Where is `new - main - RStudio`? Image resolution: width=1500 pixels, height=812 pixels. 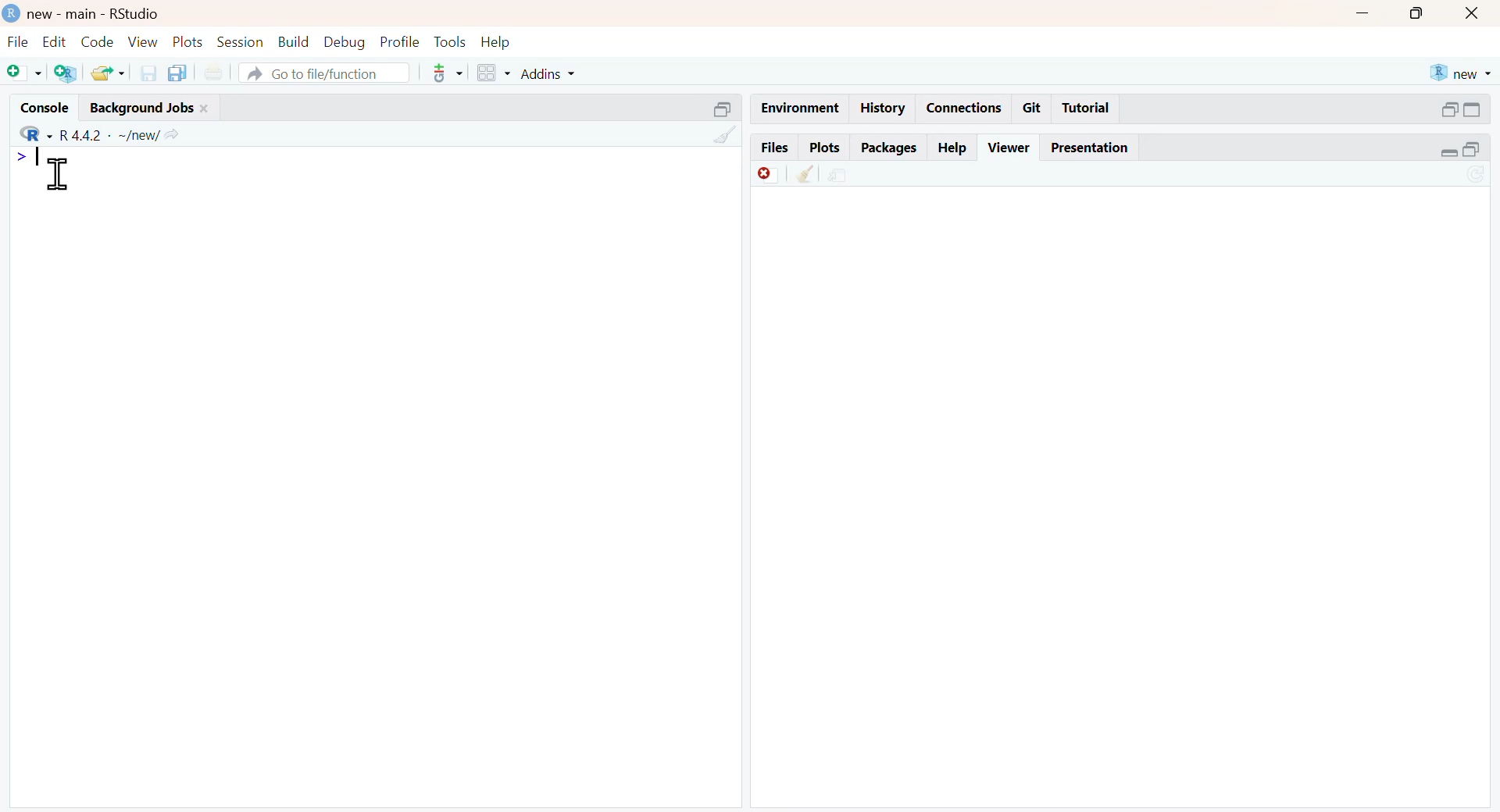
new - main - RStudio is located at coordinates (95, 15).